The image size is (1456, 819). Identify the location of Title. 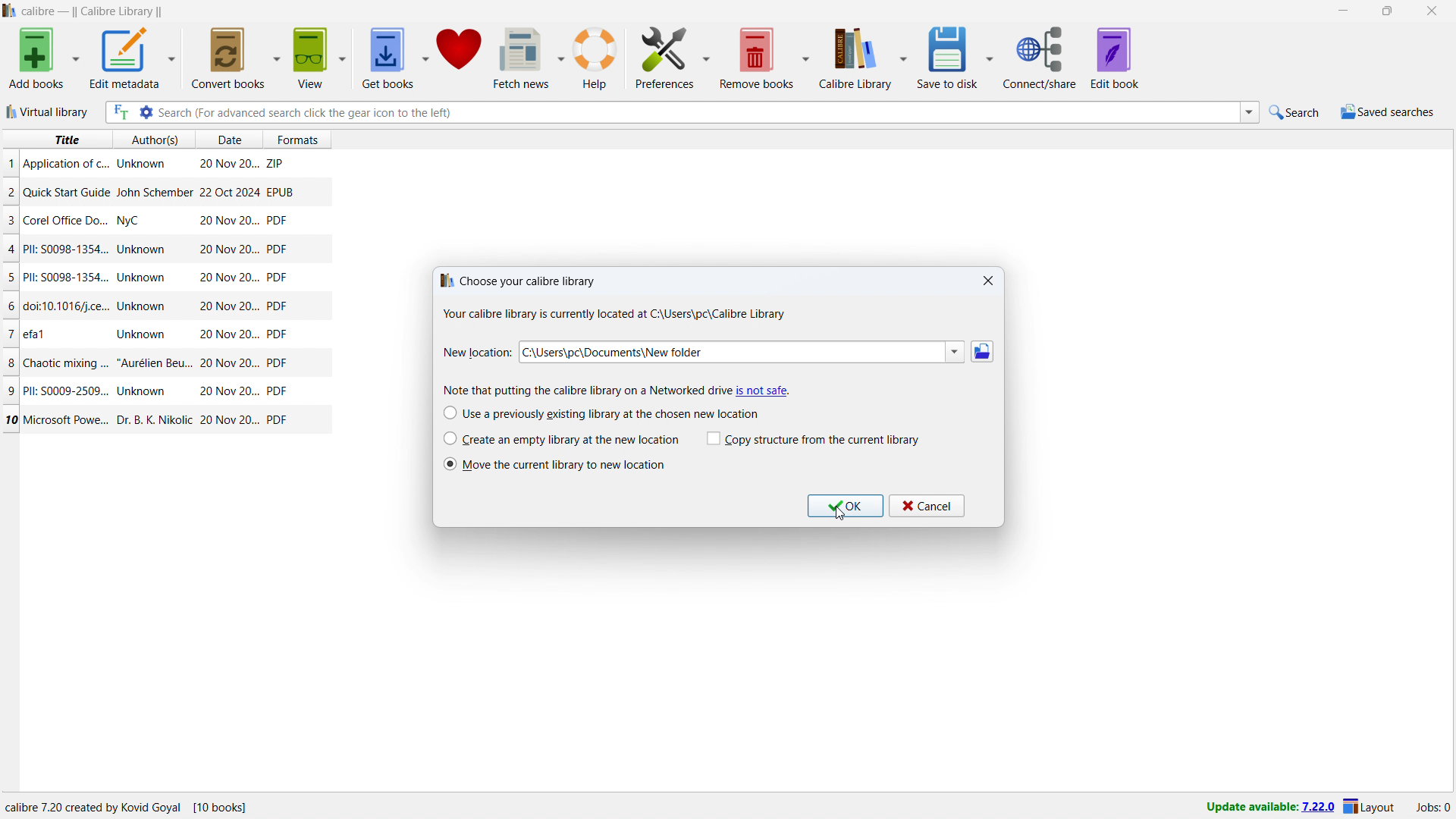
(67, 277).